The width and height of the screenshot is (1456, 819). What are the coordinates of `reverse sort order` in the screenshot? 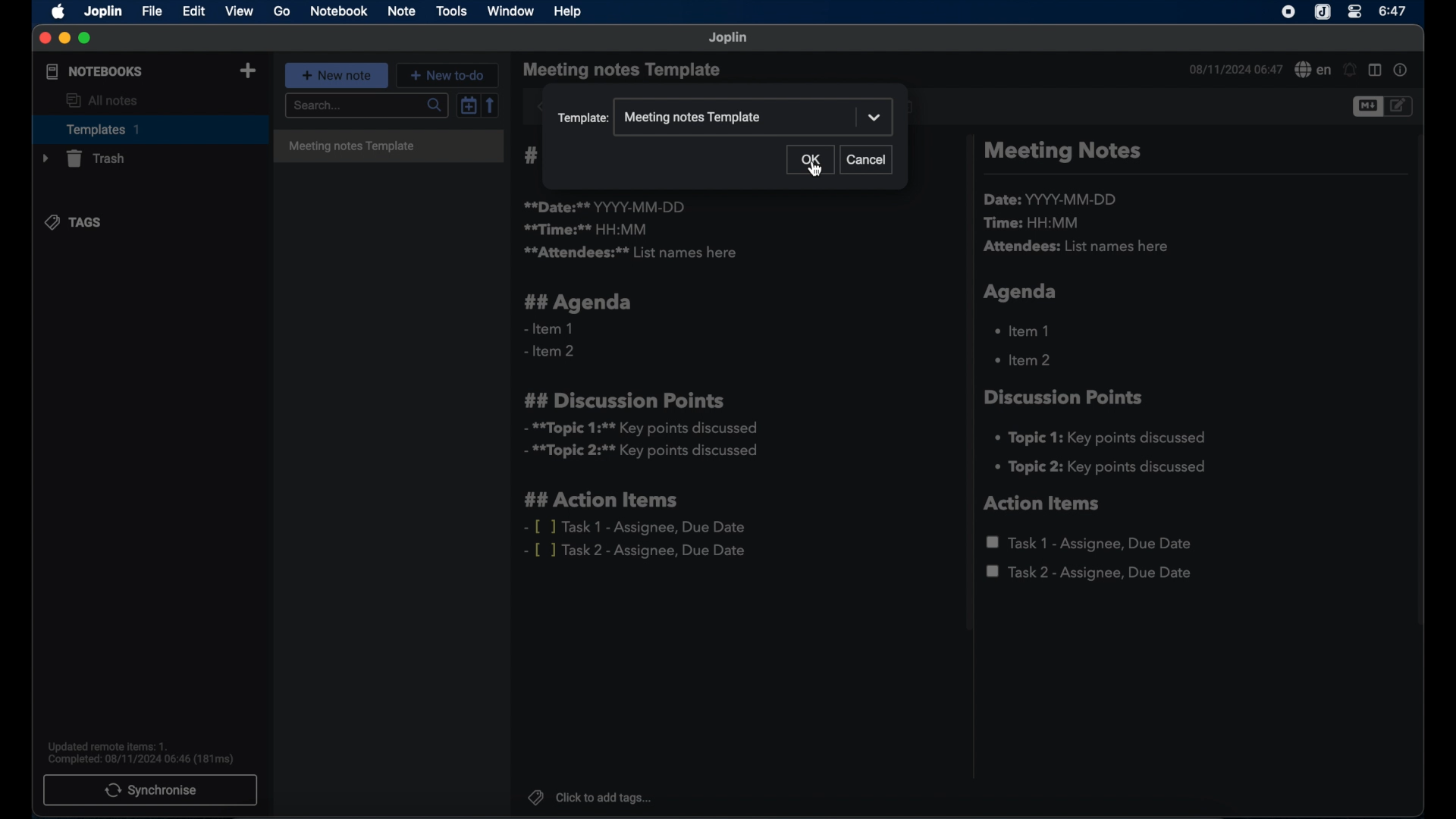 It's located at (492, 105).